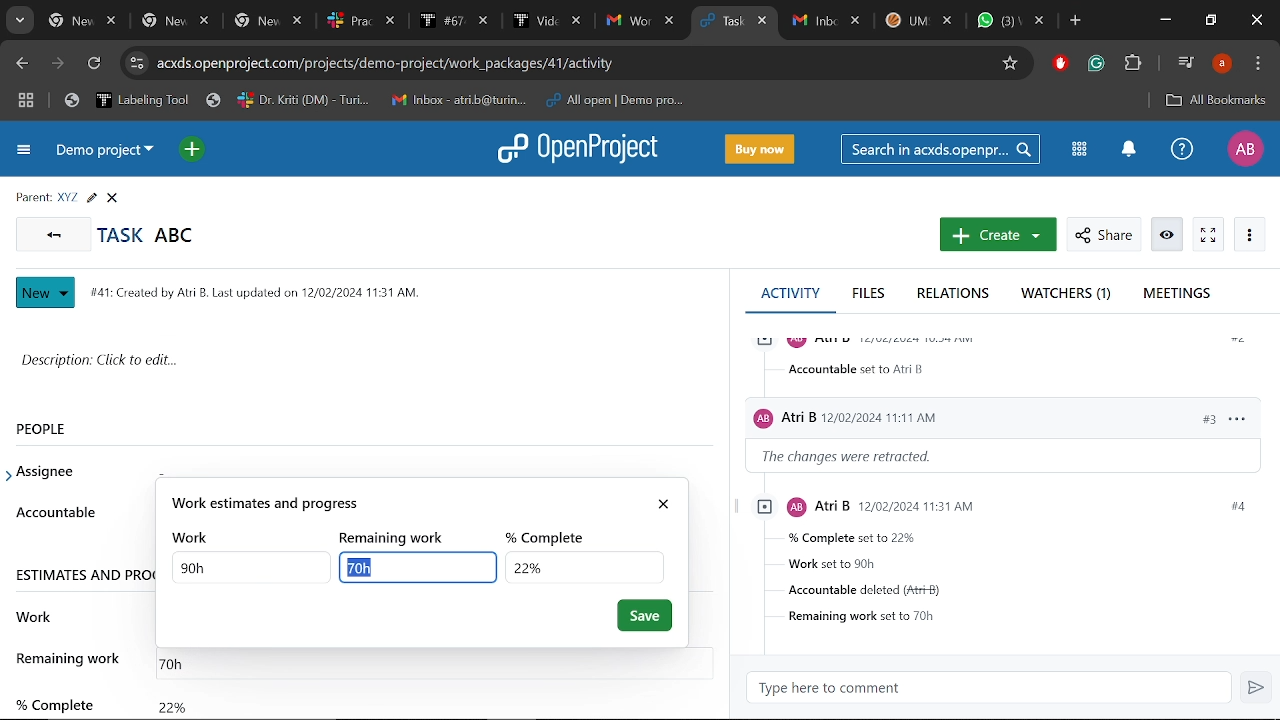 This screenshot has height=720, width=1280. I want to click on Completed work, so click(172, 702).